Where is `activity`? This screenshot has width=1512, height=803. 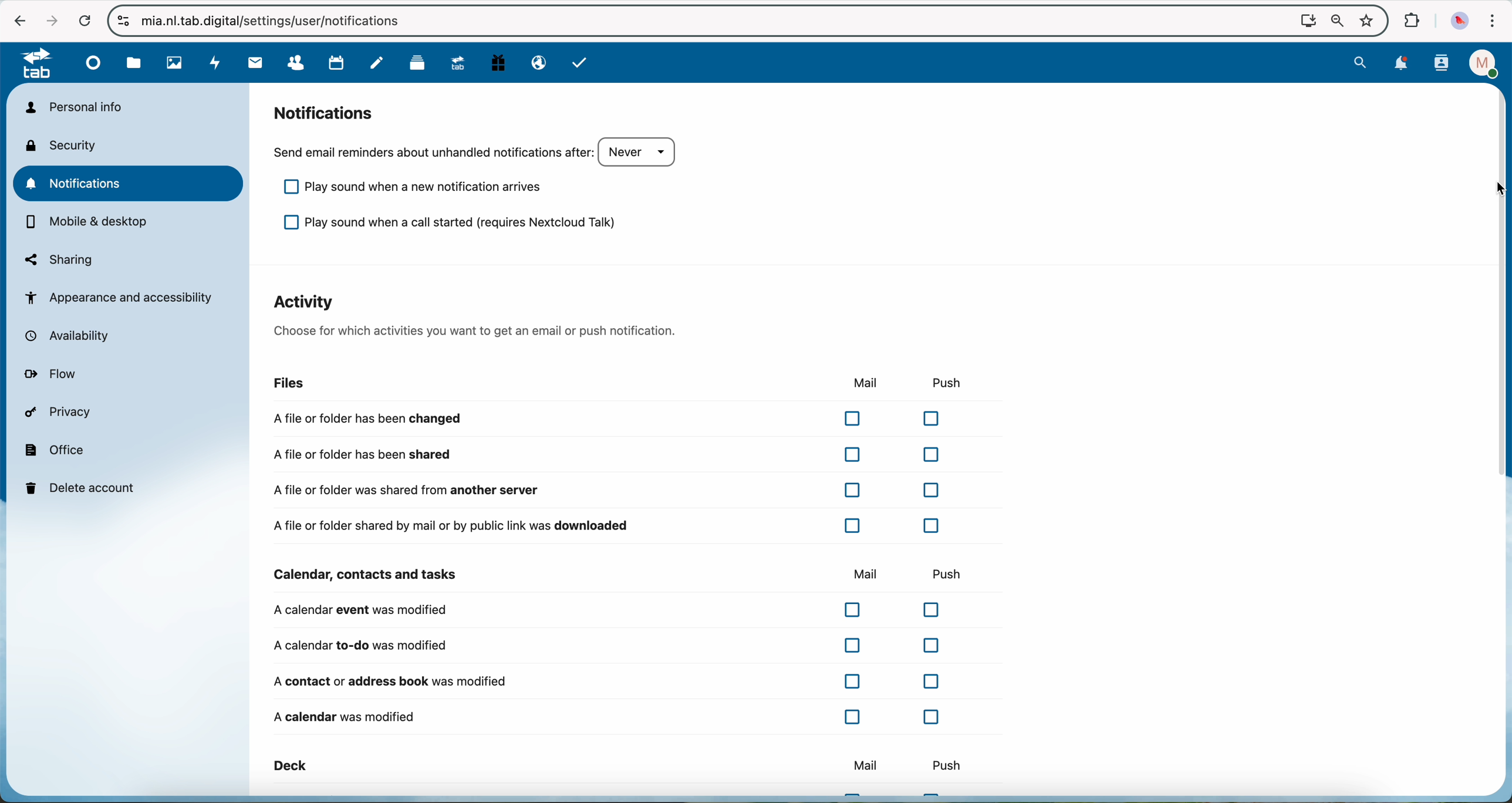 activity is located at coordinates (476, 316).